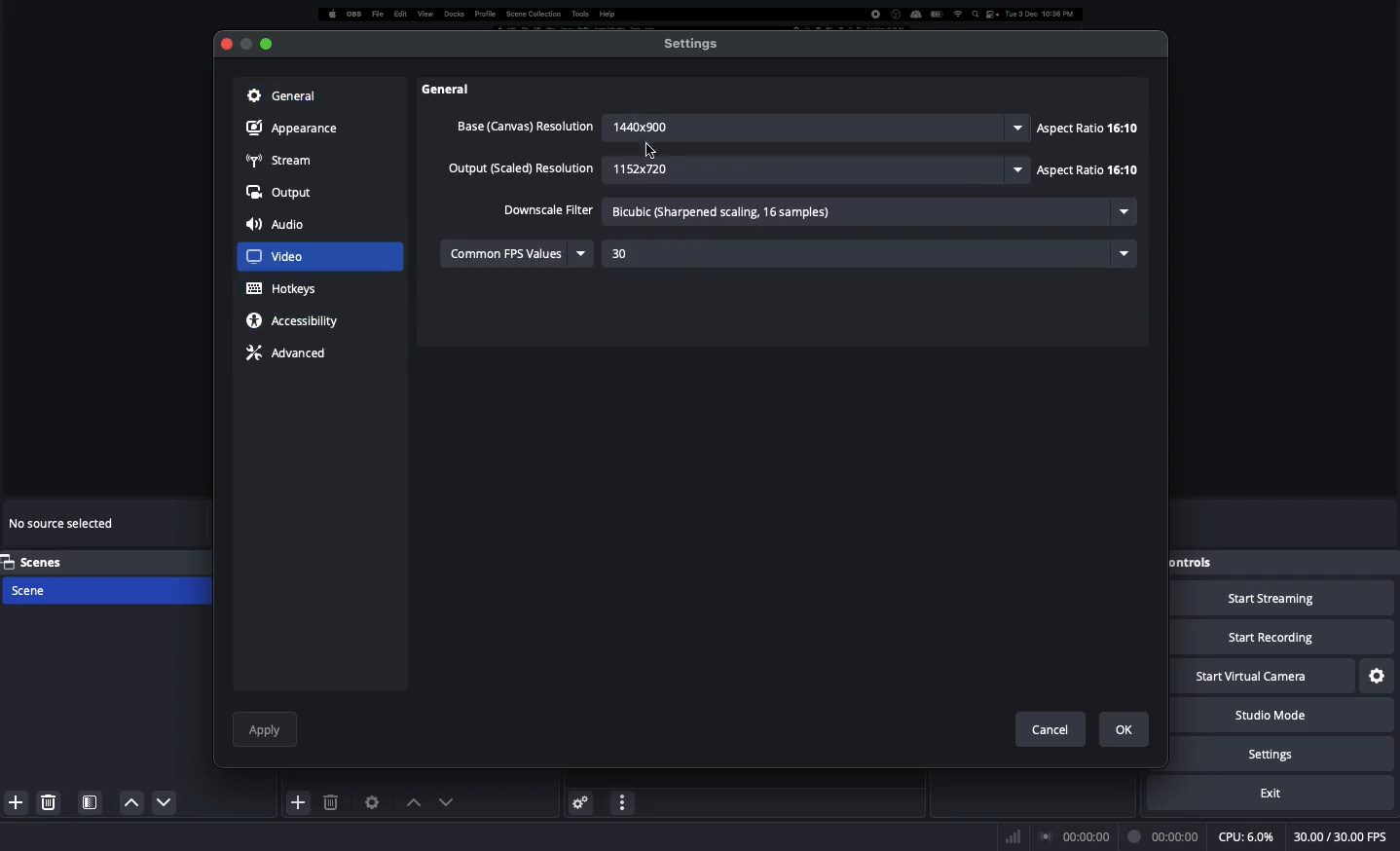 This screenshot has width=1400, height=851. Describe the element at coordinates (519, 252) in the screenshot. I see `Common FPS values` at that location.